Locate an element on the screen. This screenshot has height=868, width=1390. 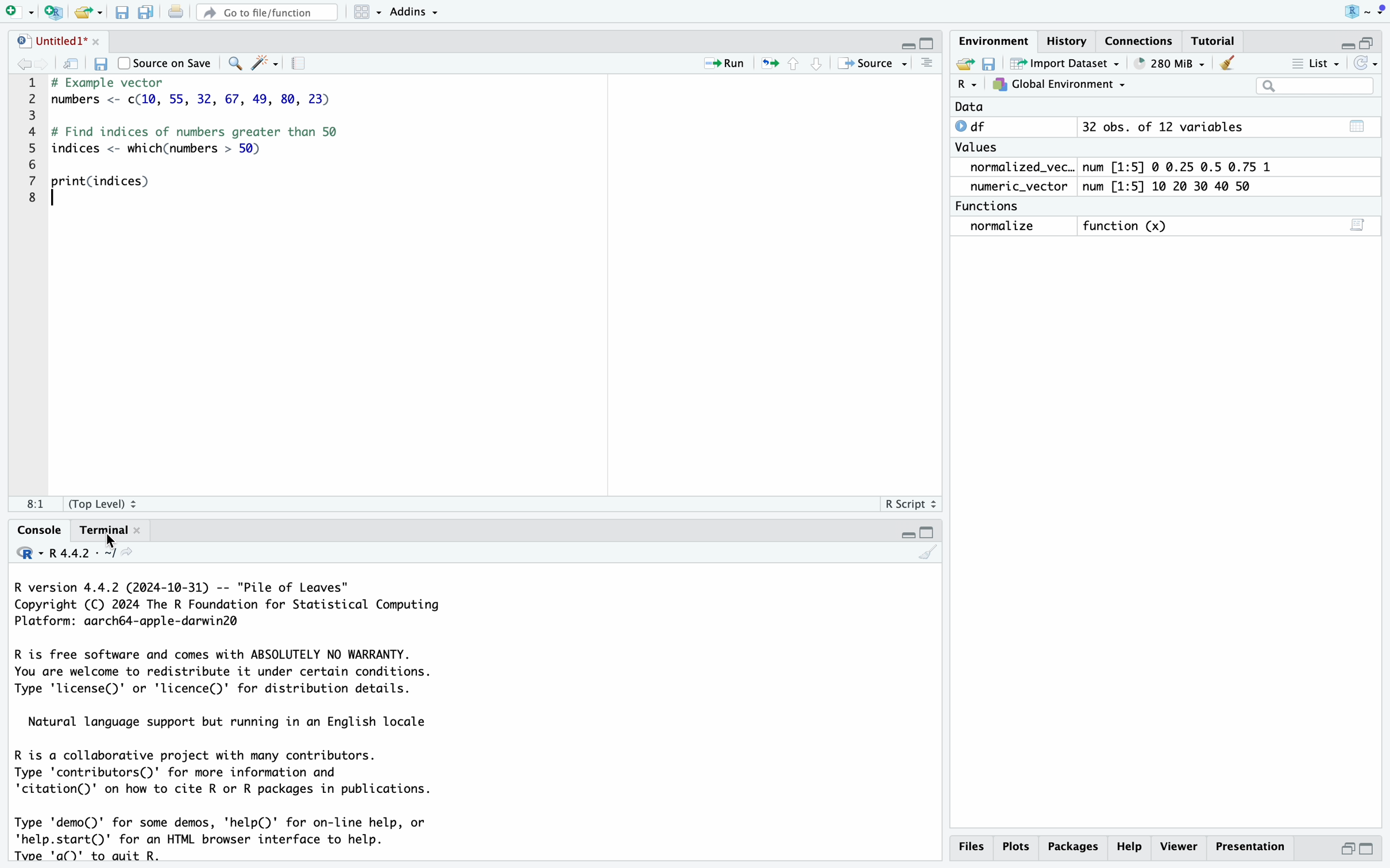
R version 4.4.2 (2024-10-31) -- "Pile of Leaves"

Copyright (C) 2024 The R Foundation for Statistical Computing

Platform: aarch64-apple-darwin2@

R is free software and comes with ABSOLUTELY NO WARRANTY.

You are welcome to redistribute it under certain conditions.

Type 'license()' or 'licence()' for distribution details.
Natural language support but running in an English locale

R is a collaborative project with many contributors.

Type 'contributors()' for more information and

'citation()' on how to cite R or R packages in publications.

Type 'demo()' for some demos, 'help(D)' for on-line help, or

'help.start()' for an HTML browser interface to help.

Type 'q()' to quit R.

[Workspace loaded from ~/.RData]

> normalize <- function(x) {

+ return((x - min(x)) / (max(x) - min(x)))

+}

>

> numeric_vector <- c(10, 20, 30, 40, 50)

>

> normalized_vector <- normalize(numeric_vector)

>

> print(normalized_vector)

[1] 0.00 0.25 0.50 0.75 1.00

>

> print(normalized_vector)

[1] 0.00 0.25 0.50 0.75 1.00

>

>

>

> print(filtered_mtcars,"cars")

Error: object 'filtered_mtcars' not found

> print(filtered_mtcars)

Error: object 'filtered_mtcars' not found

>

> is located at coordinates (238, 718).